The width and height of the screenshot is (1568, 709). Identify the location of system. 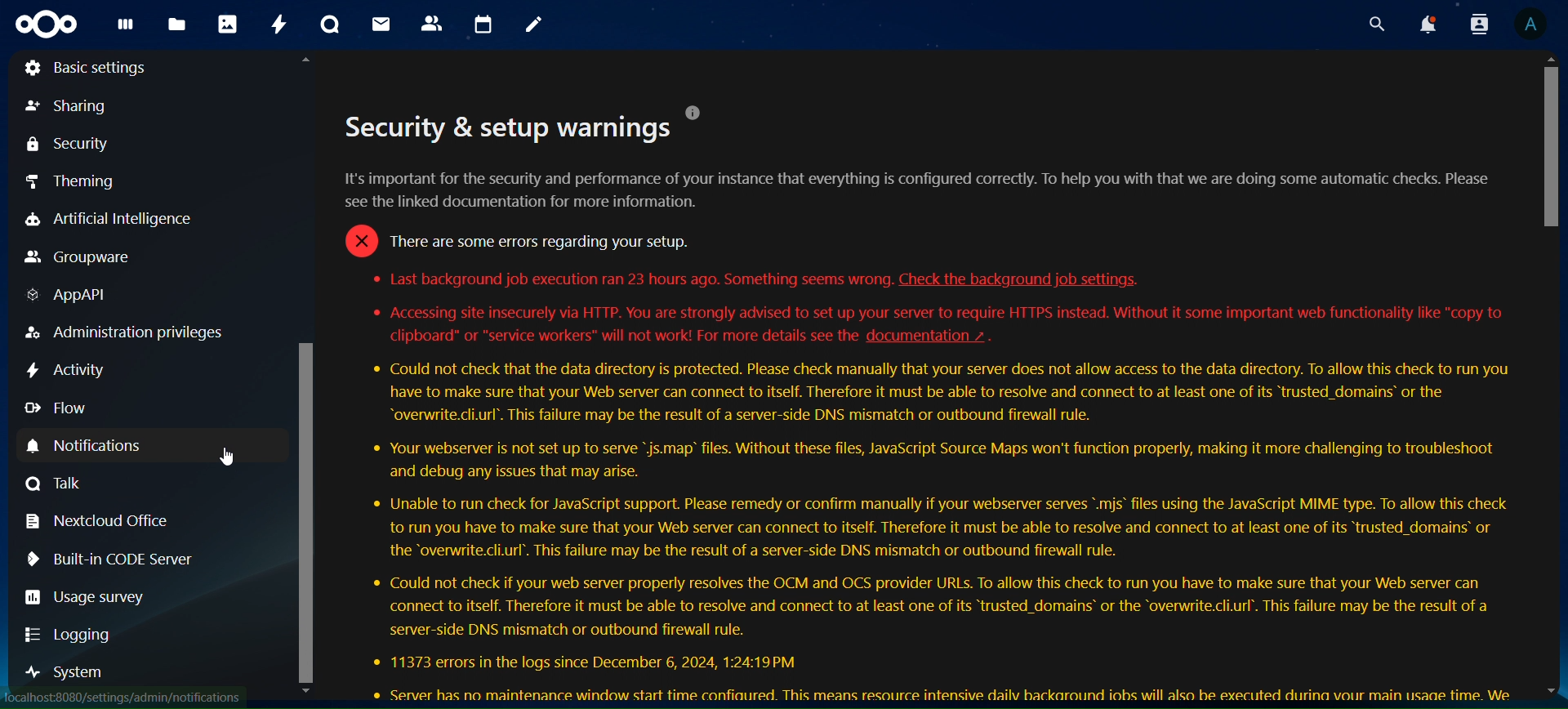
(65, 671).